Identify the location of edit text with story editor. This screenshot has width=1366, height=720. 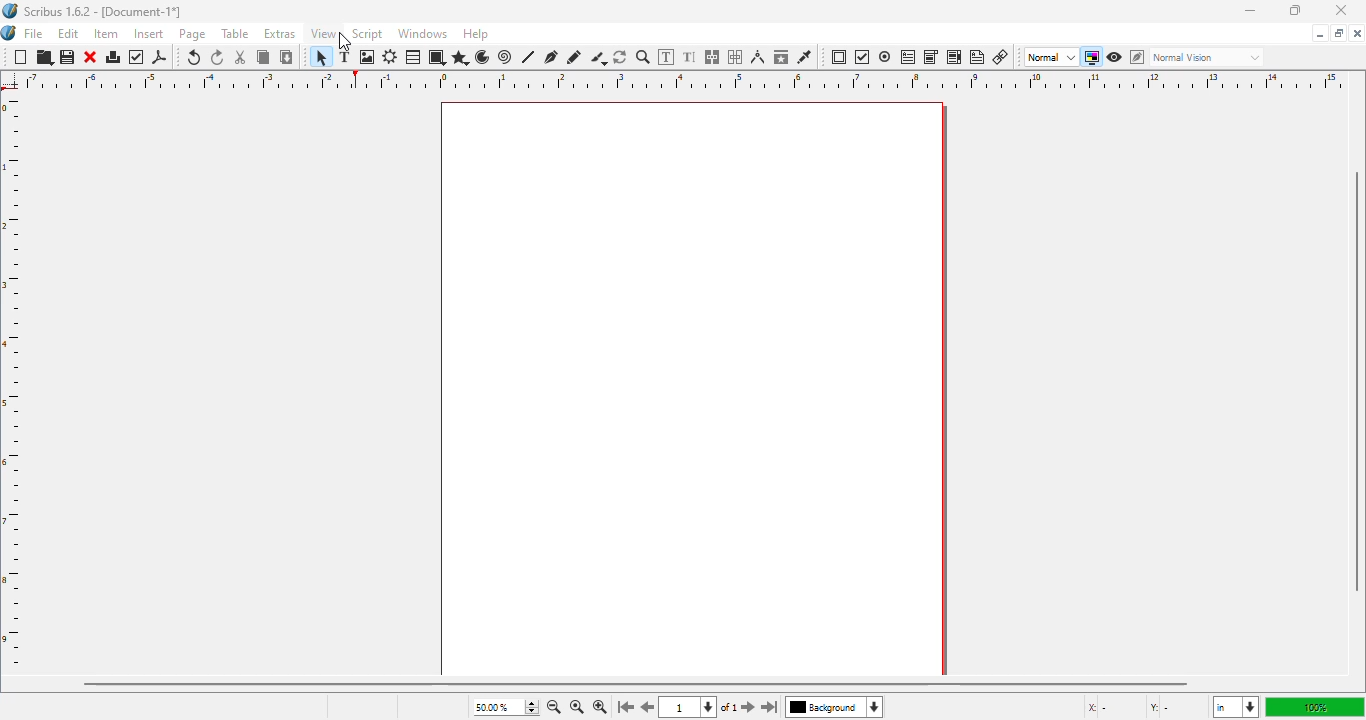
(690, 57).